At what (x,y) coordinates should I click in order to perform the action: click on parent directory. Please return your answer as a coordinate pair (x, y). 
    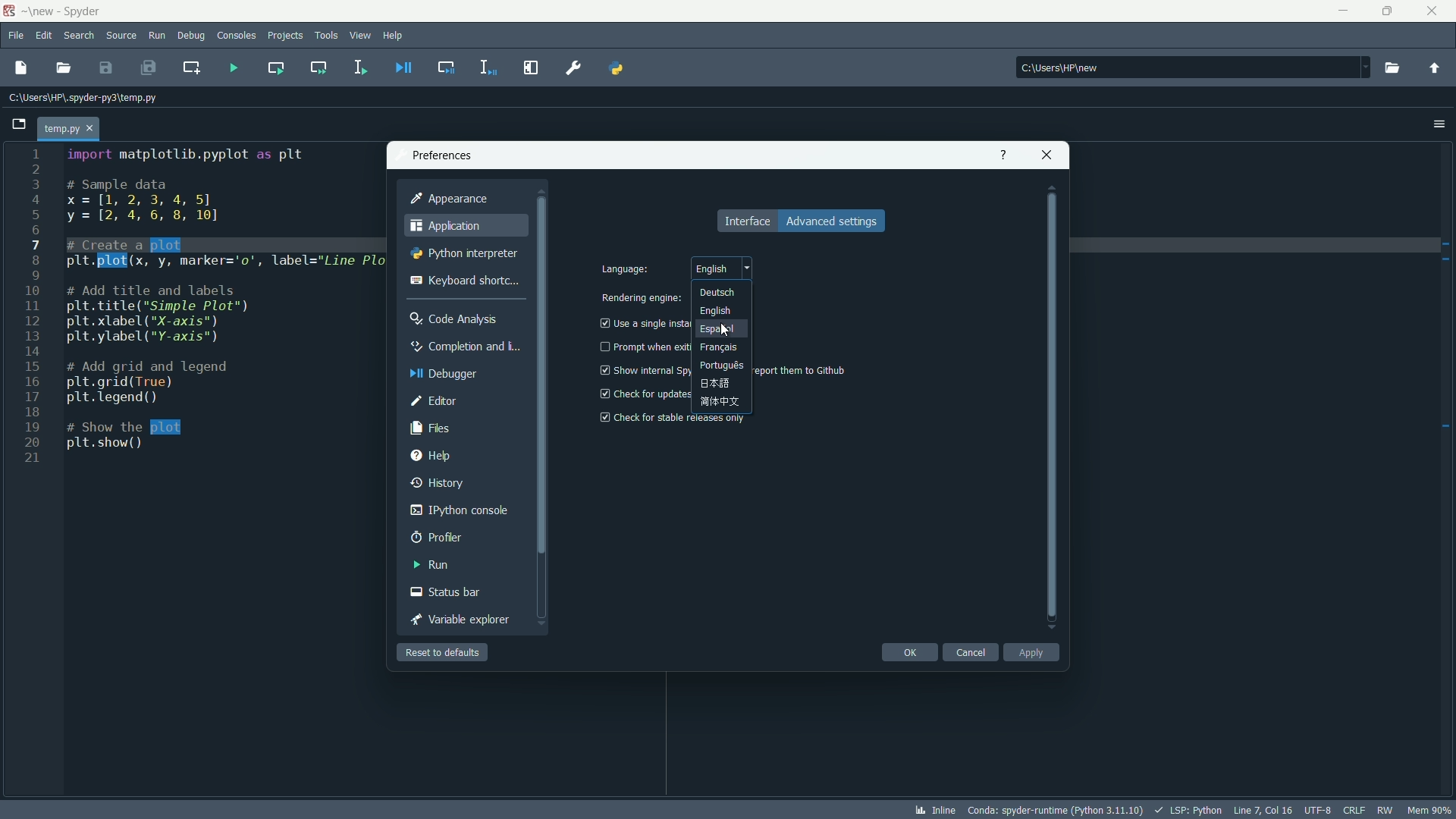
    Looking at the image, I should click on (1435, 69).